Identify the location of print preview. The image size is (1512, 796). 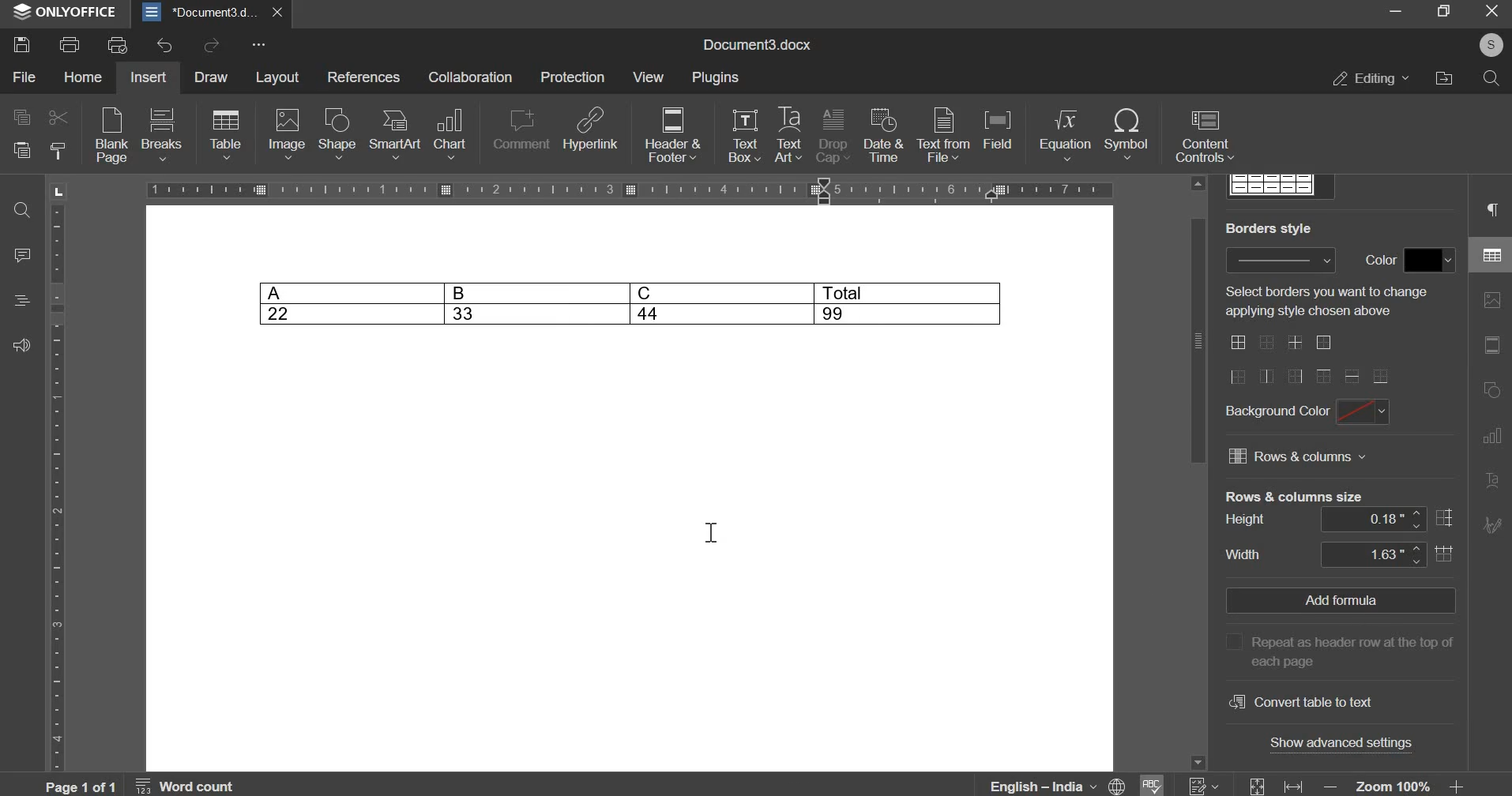
(119, 43).